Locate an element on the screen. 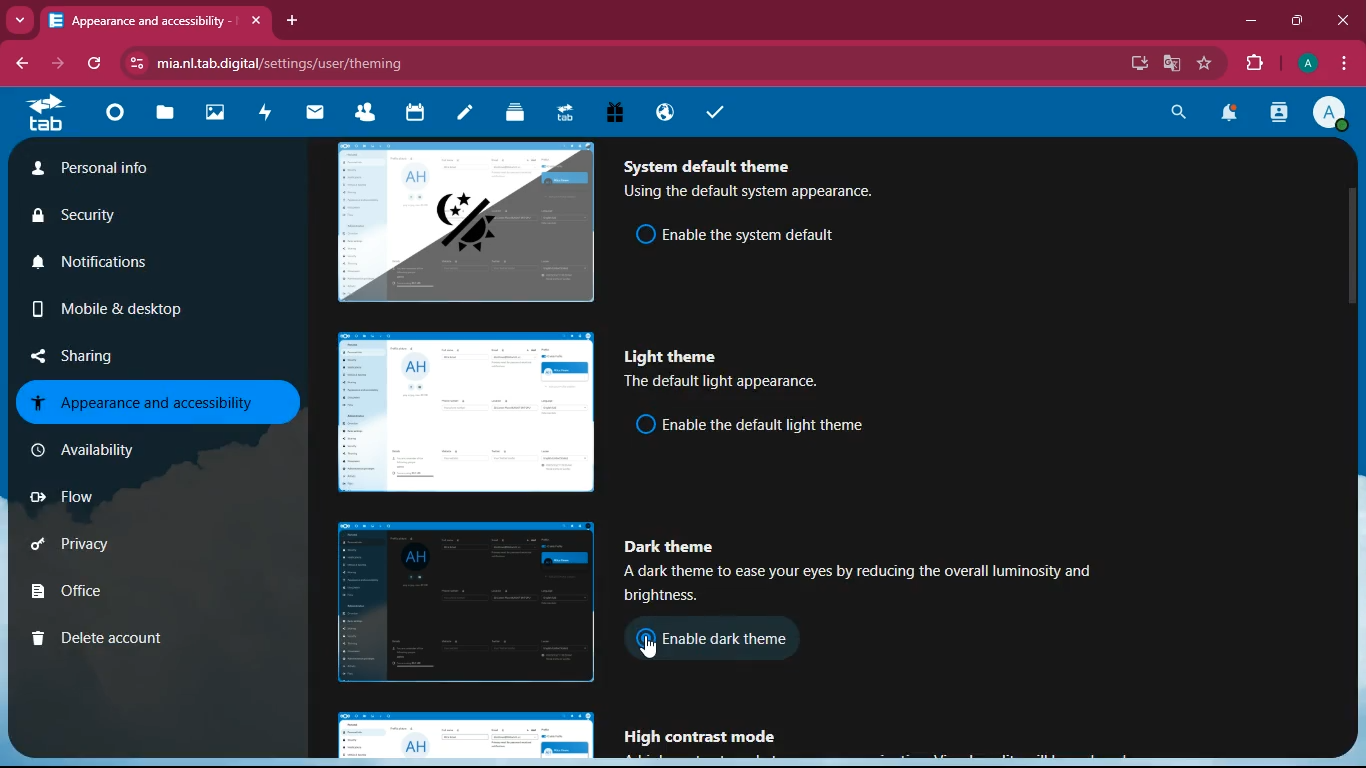  appearance is located at coordinates (148, 402).